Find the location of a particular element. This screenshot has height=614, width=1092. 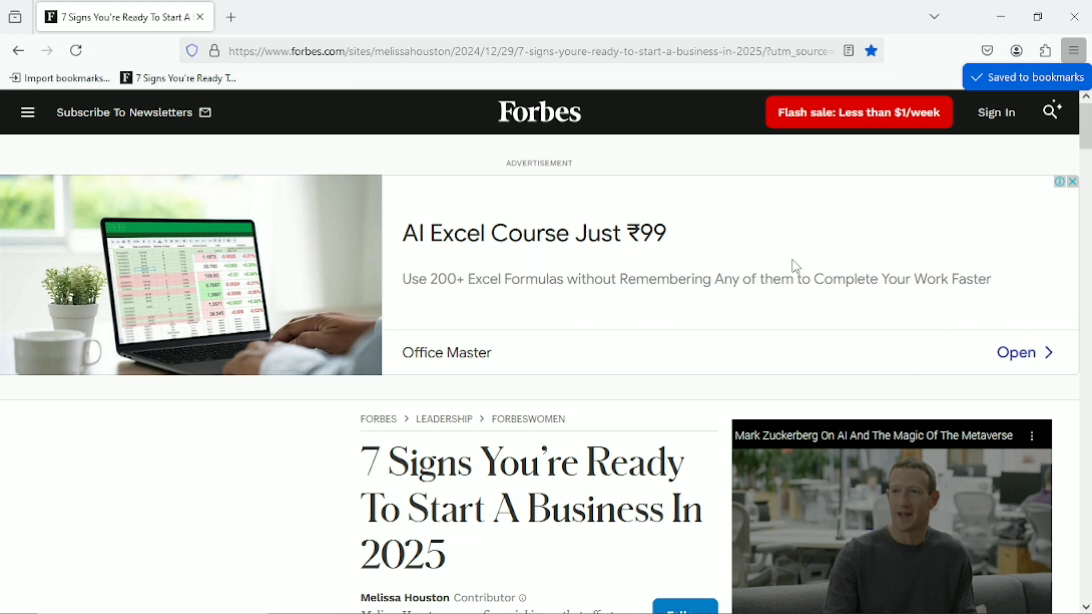

view recent browsing is located at coordinates (15, 16).